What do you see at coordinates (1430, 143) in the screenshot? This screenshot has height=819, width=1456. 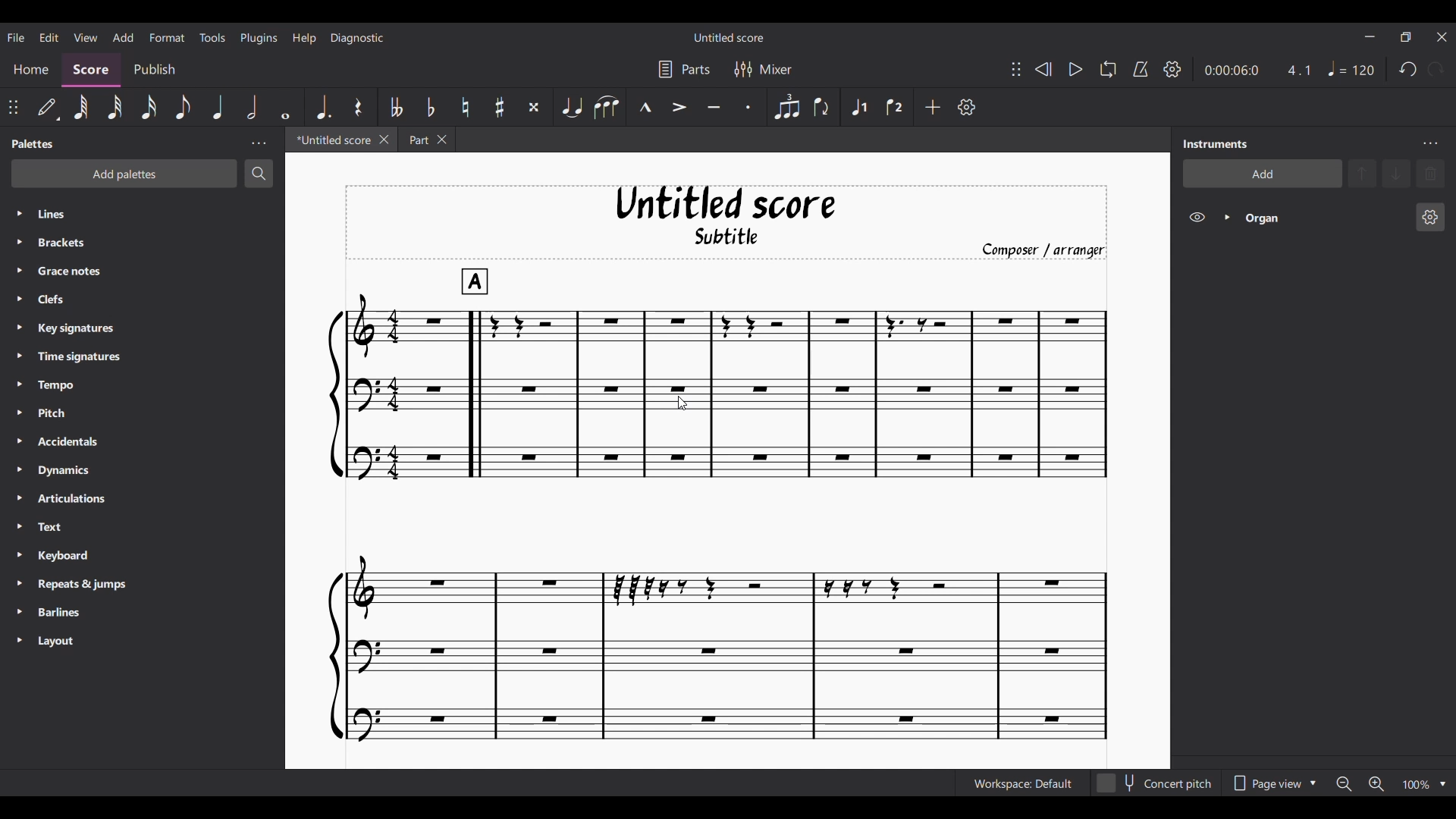 I see `Instruments setting` at bounding box center [1430, 143].